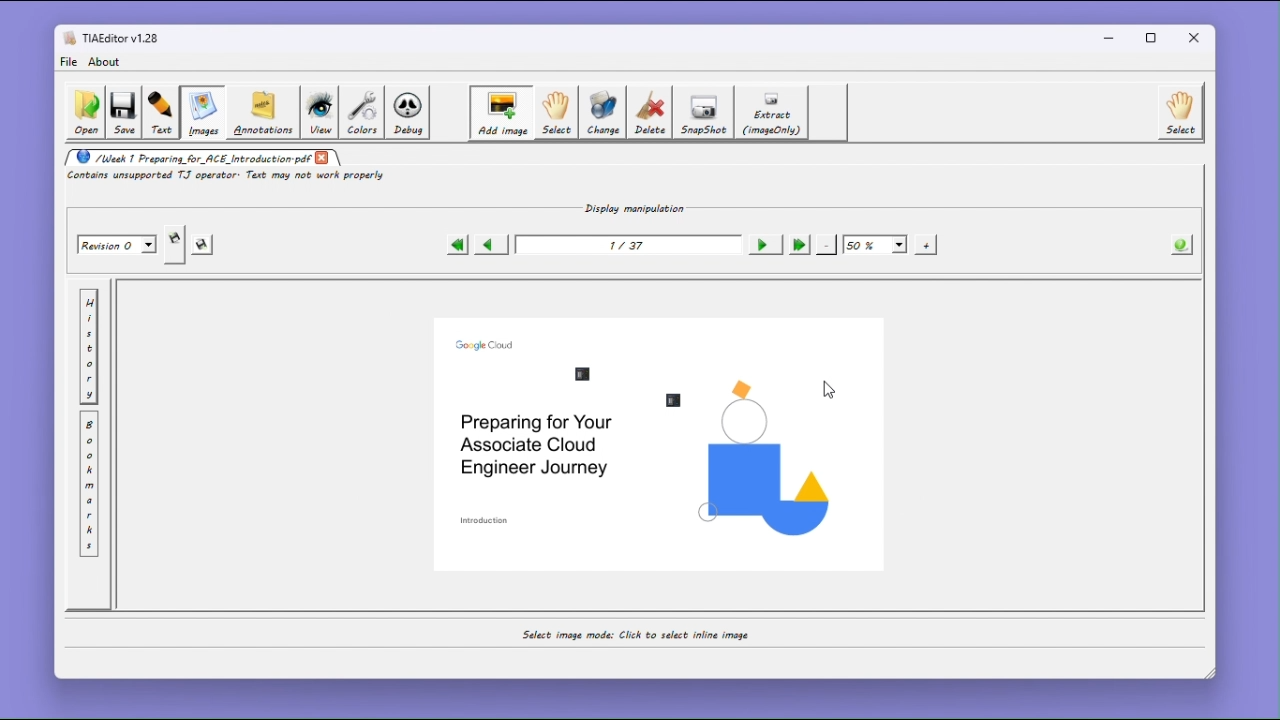  Describe the element at coordinates (201, 113) in the screenshot. I see `Images` at that location.